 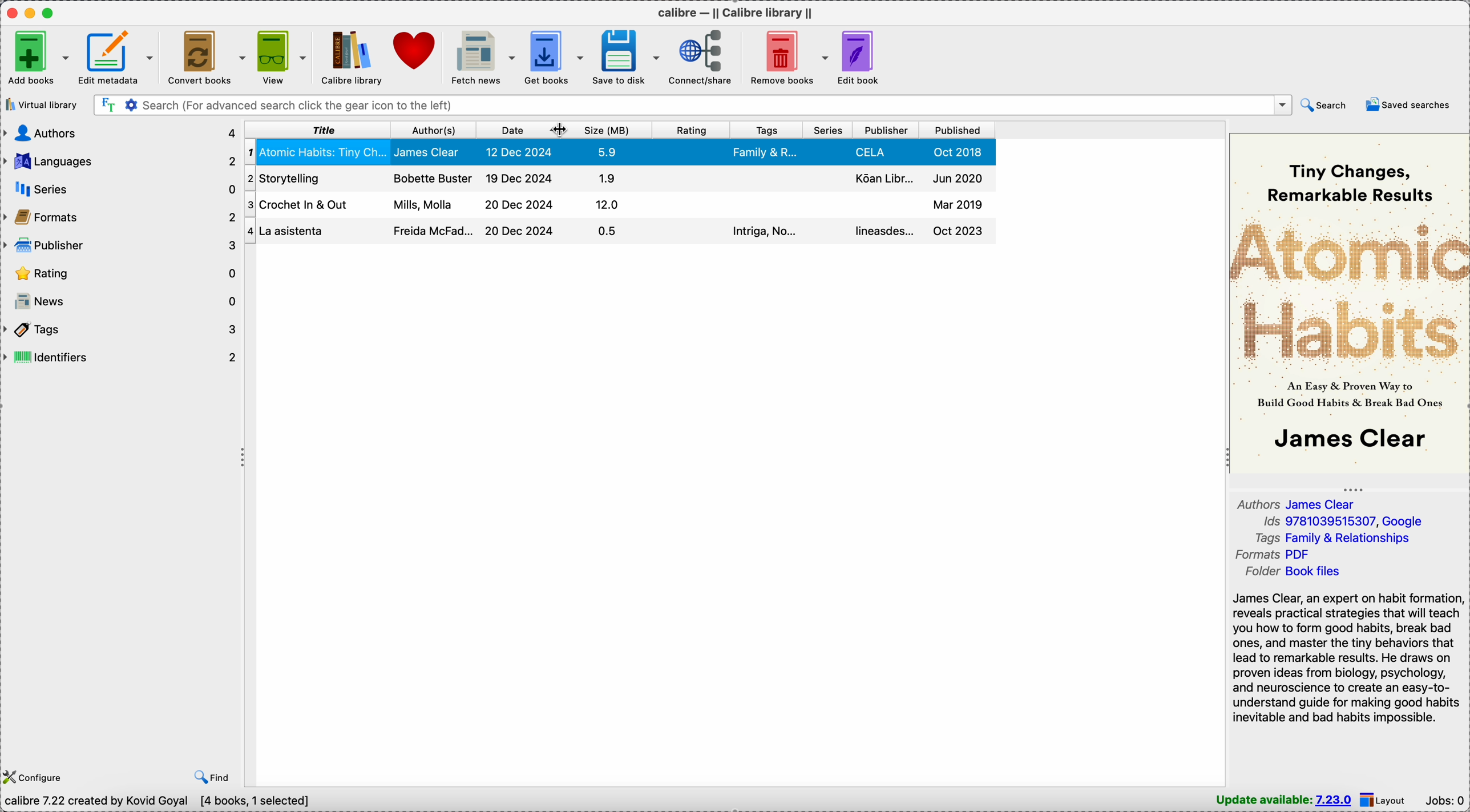 I want to click on view, so click(x=283, y=58).